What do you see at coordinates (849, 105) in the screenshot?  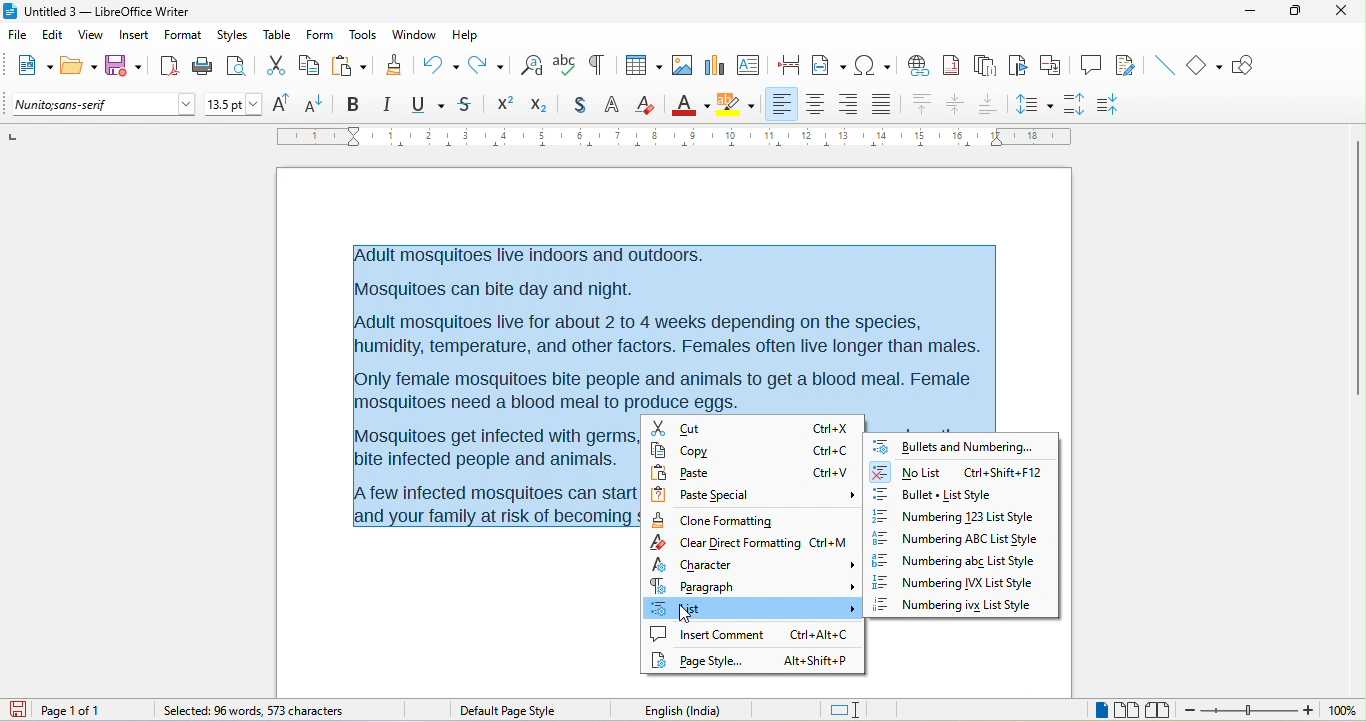 I see `align right` at bounding box center [849, 105].